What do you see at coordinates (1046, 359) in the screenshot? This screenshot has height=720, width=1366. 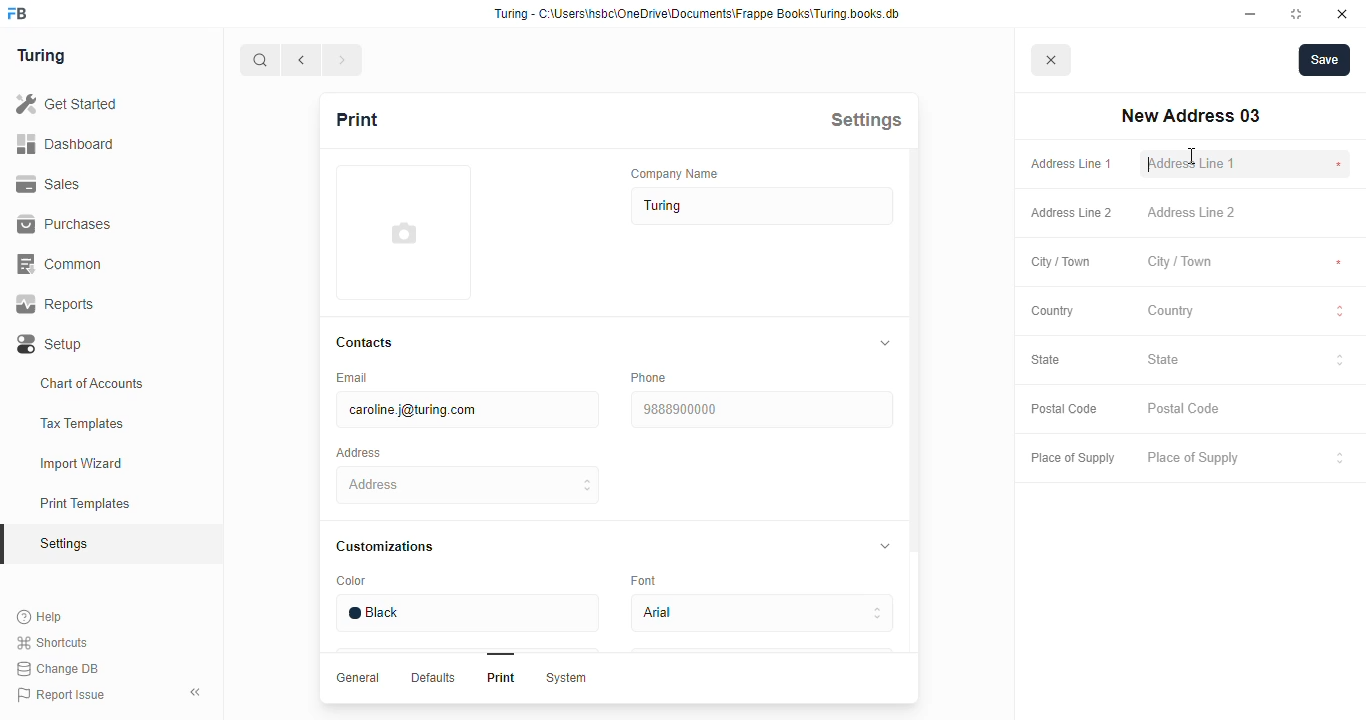 I see `state` at bounding box center [1046, 359].